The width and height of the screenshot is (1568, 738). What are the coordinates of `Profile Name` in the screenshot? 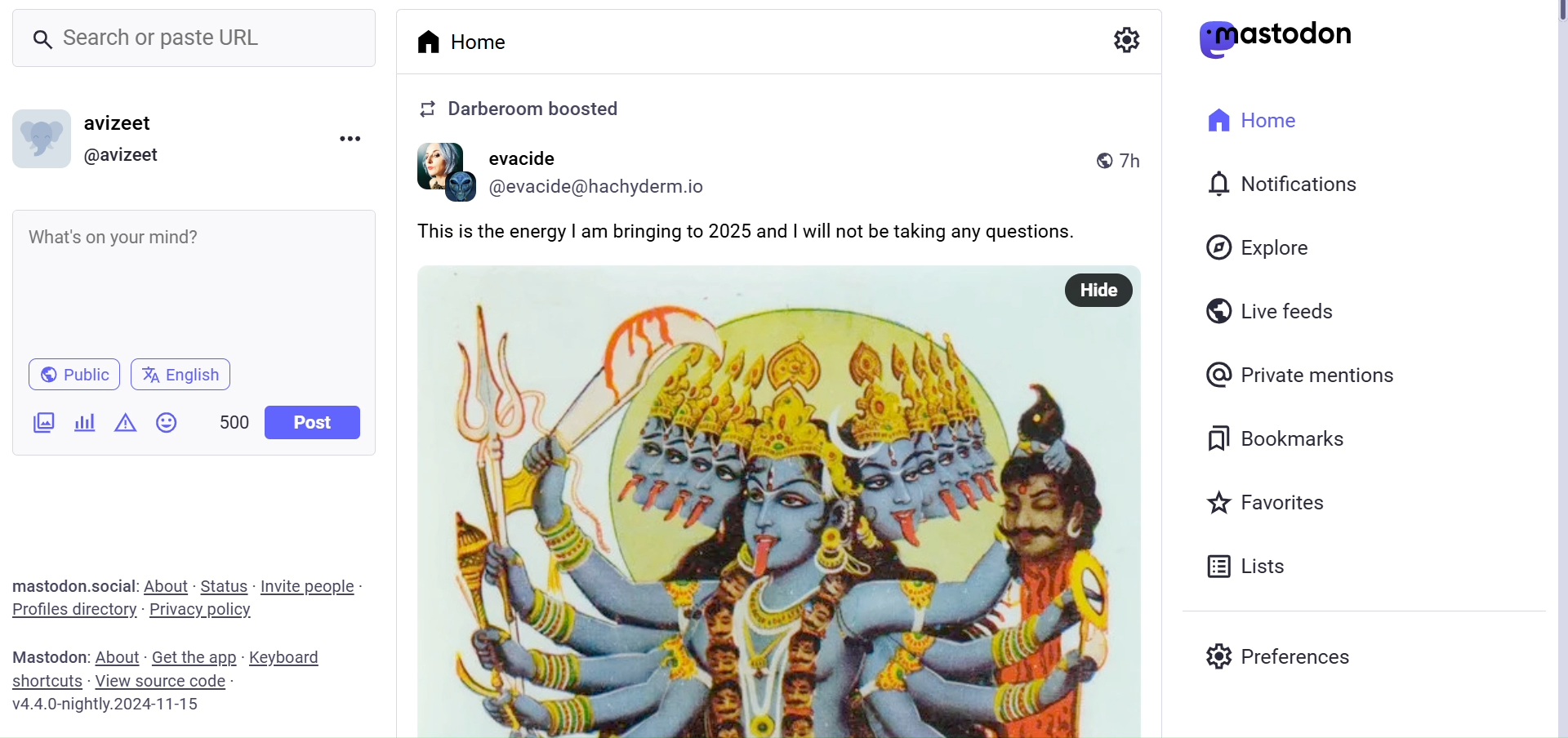 It's located at (122, 122).